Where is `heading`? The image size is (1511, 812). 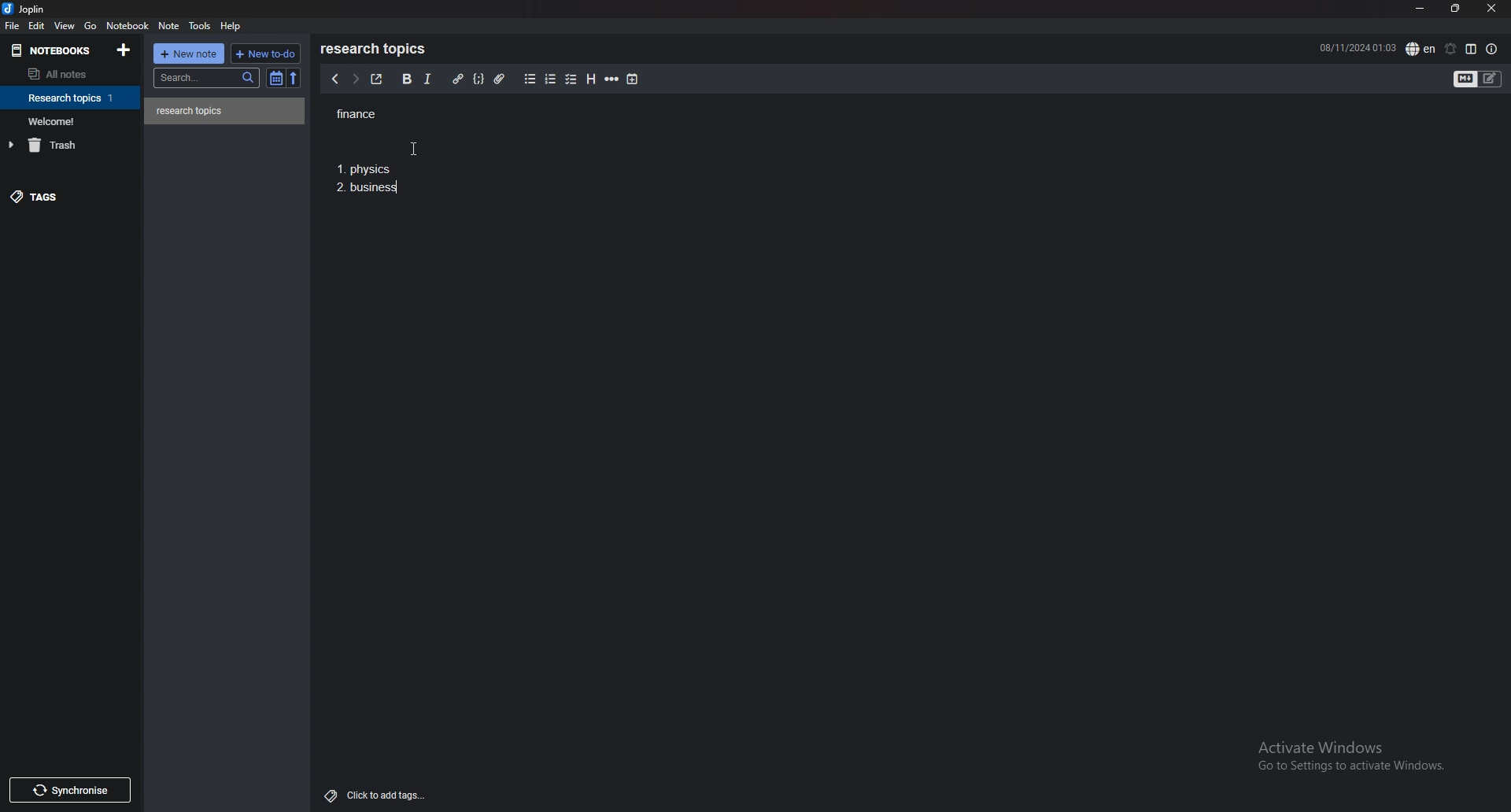
heading is located at coordinates (590, 79).